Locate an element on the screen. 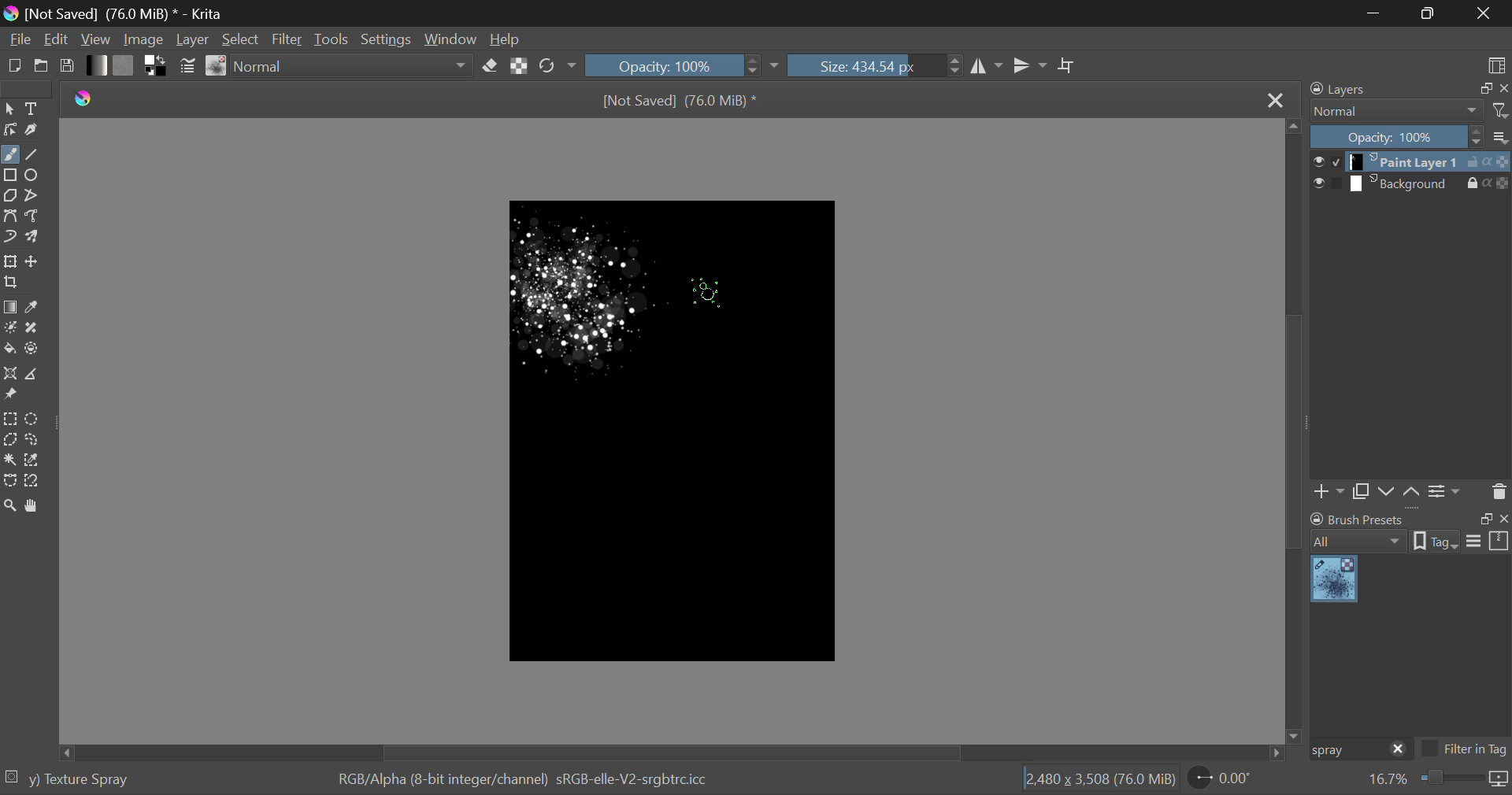  Restore Down is located at coordinates (1378, 13).